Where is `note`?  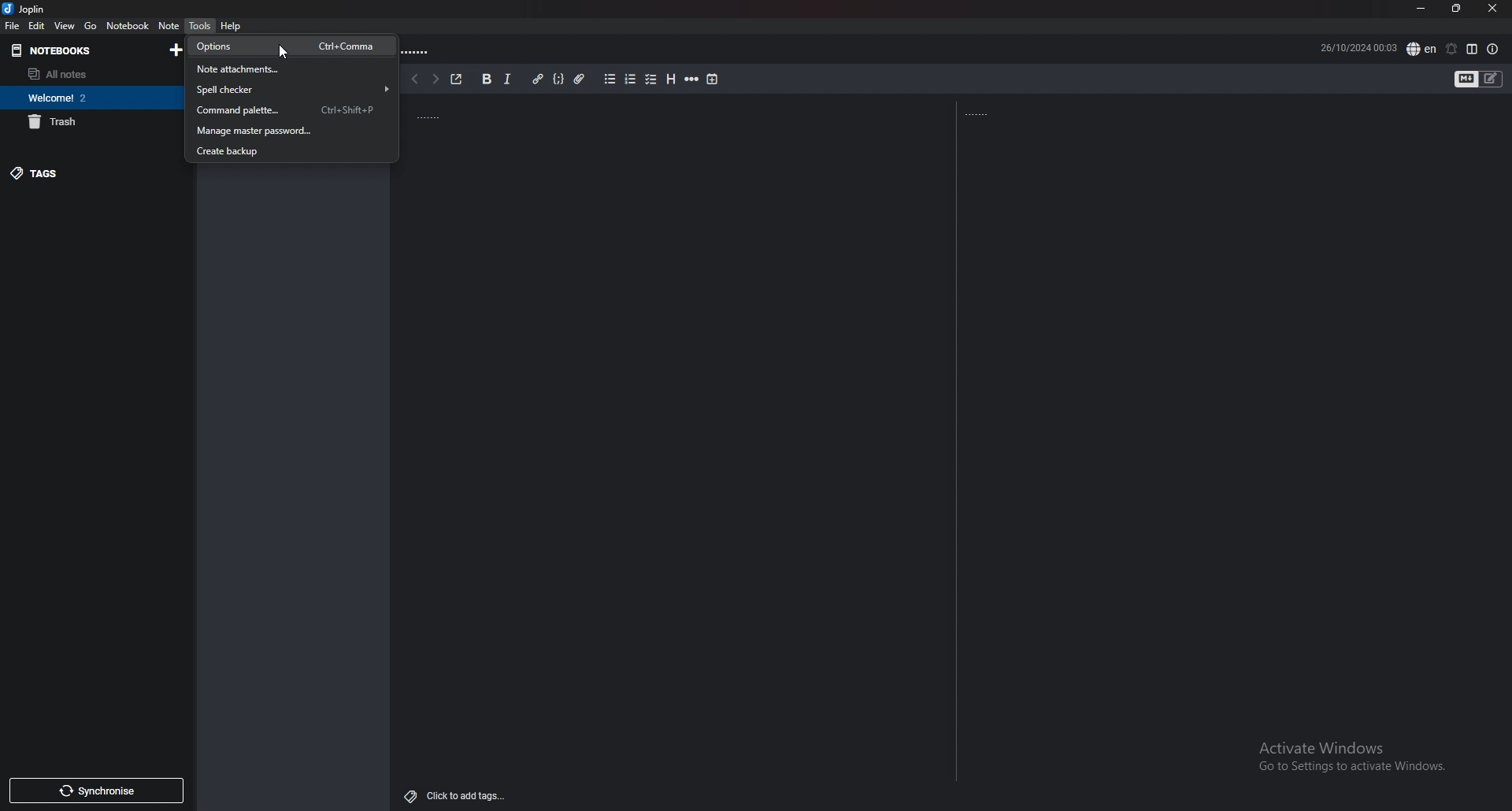 note is located at coordinates (169, 25).